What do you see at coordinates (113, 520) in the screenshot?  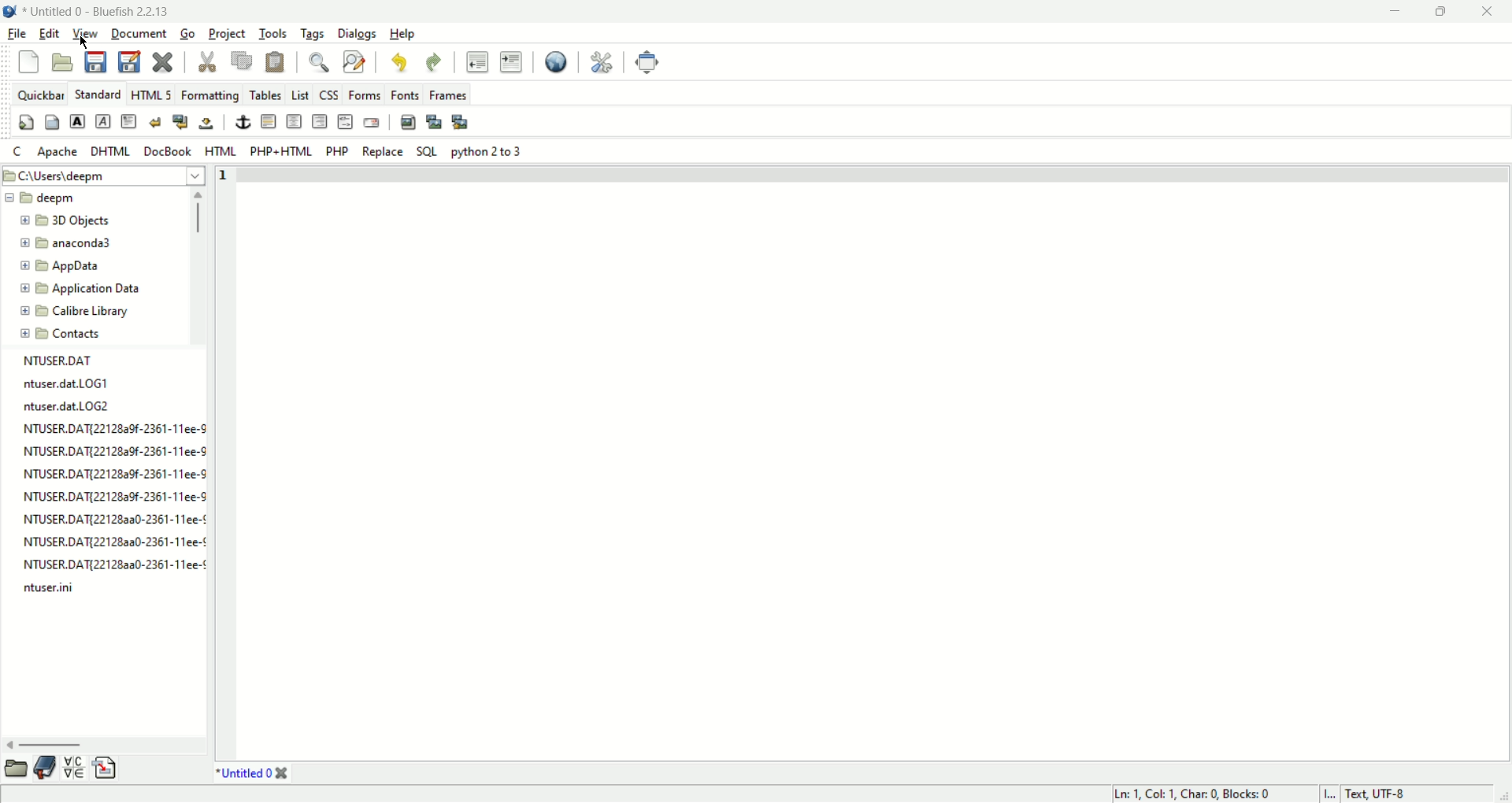 I see `NTUSER.DAT{22128220-2361-11ee-¢` at bounding box center [113, 520].